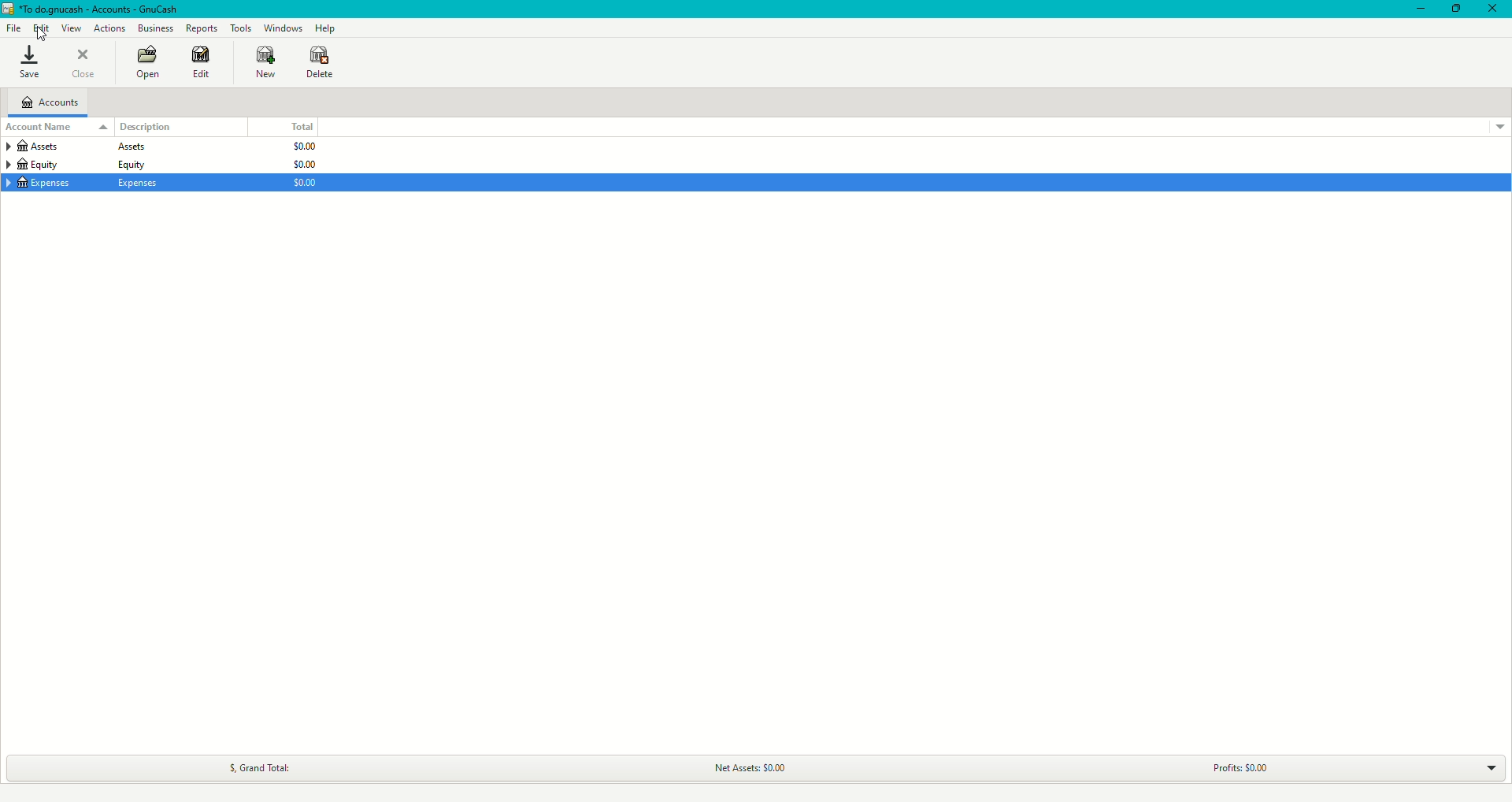 This screenshot has height=802, width=1512. I want to click on File, so click(13, 27).